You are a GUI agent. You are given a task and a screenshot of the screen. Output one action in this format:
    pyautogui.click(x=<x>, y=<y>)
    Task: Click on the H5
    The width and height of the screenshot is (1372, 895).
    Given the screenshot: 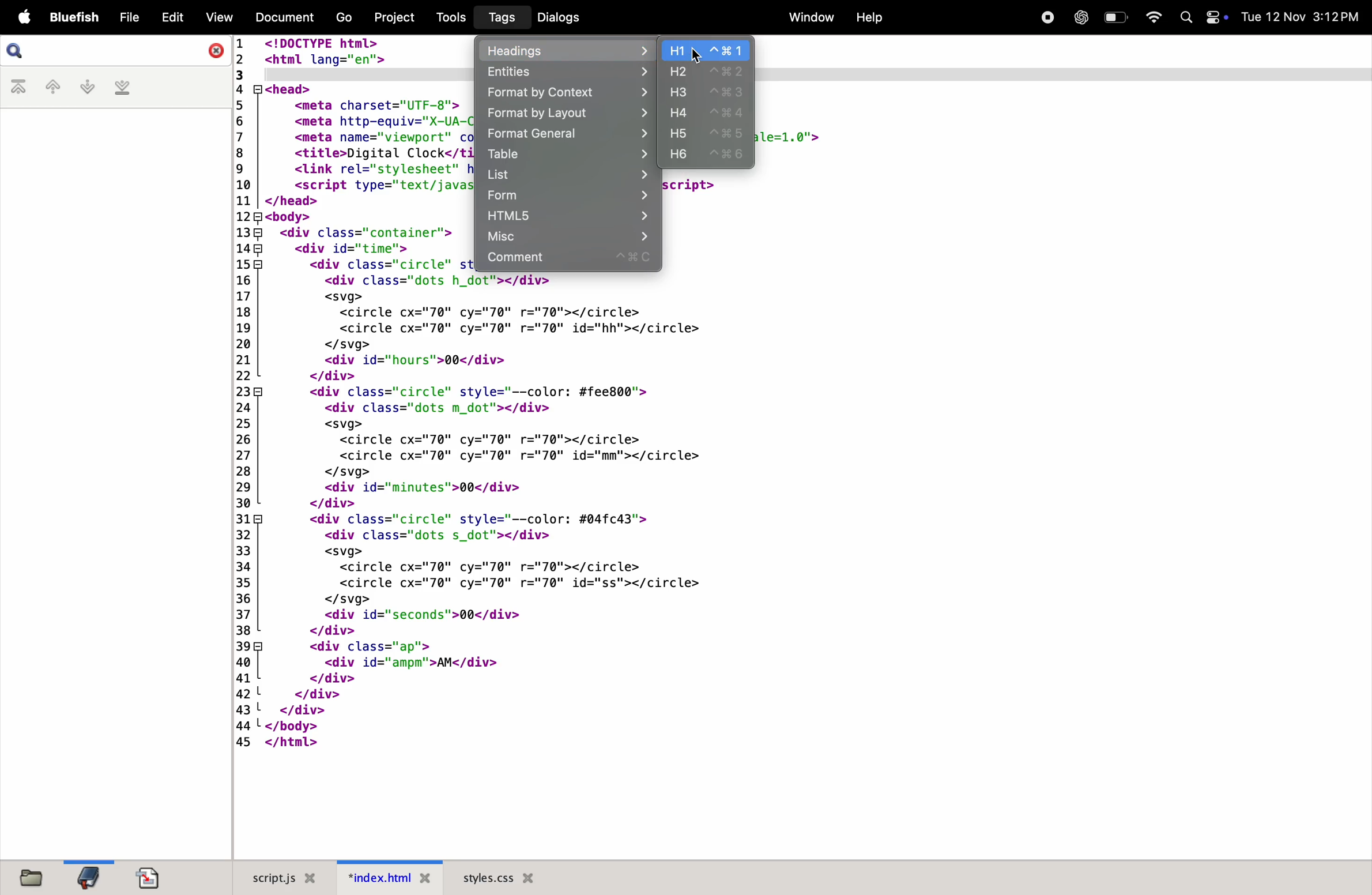 What is the action you would take?
    pyautogui.click(x=708, y=134)
    